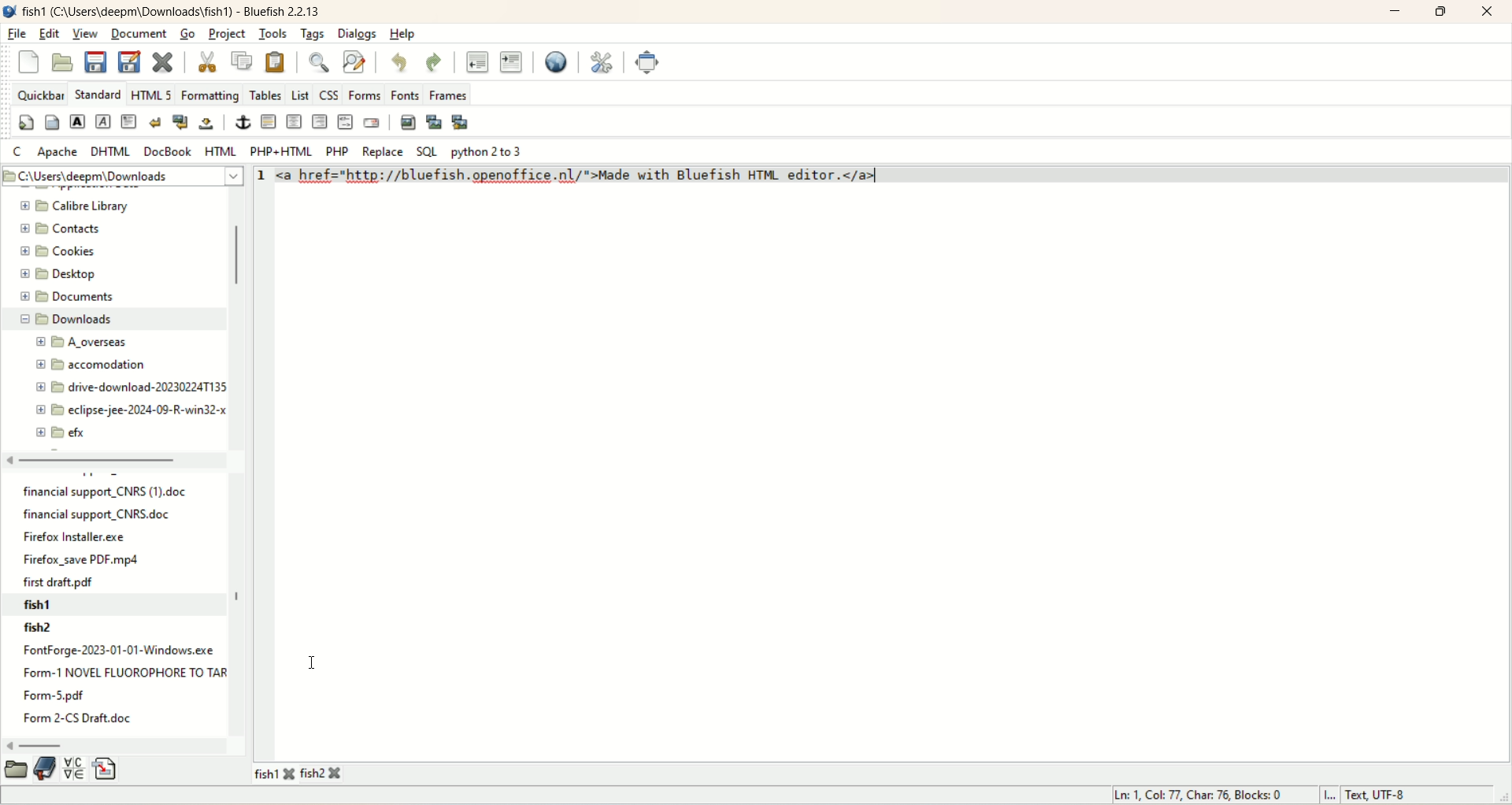 This screenshot has height=805, width=1512. I want to click on full screen, so click(648, 60).